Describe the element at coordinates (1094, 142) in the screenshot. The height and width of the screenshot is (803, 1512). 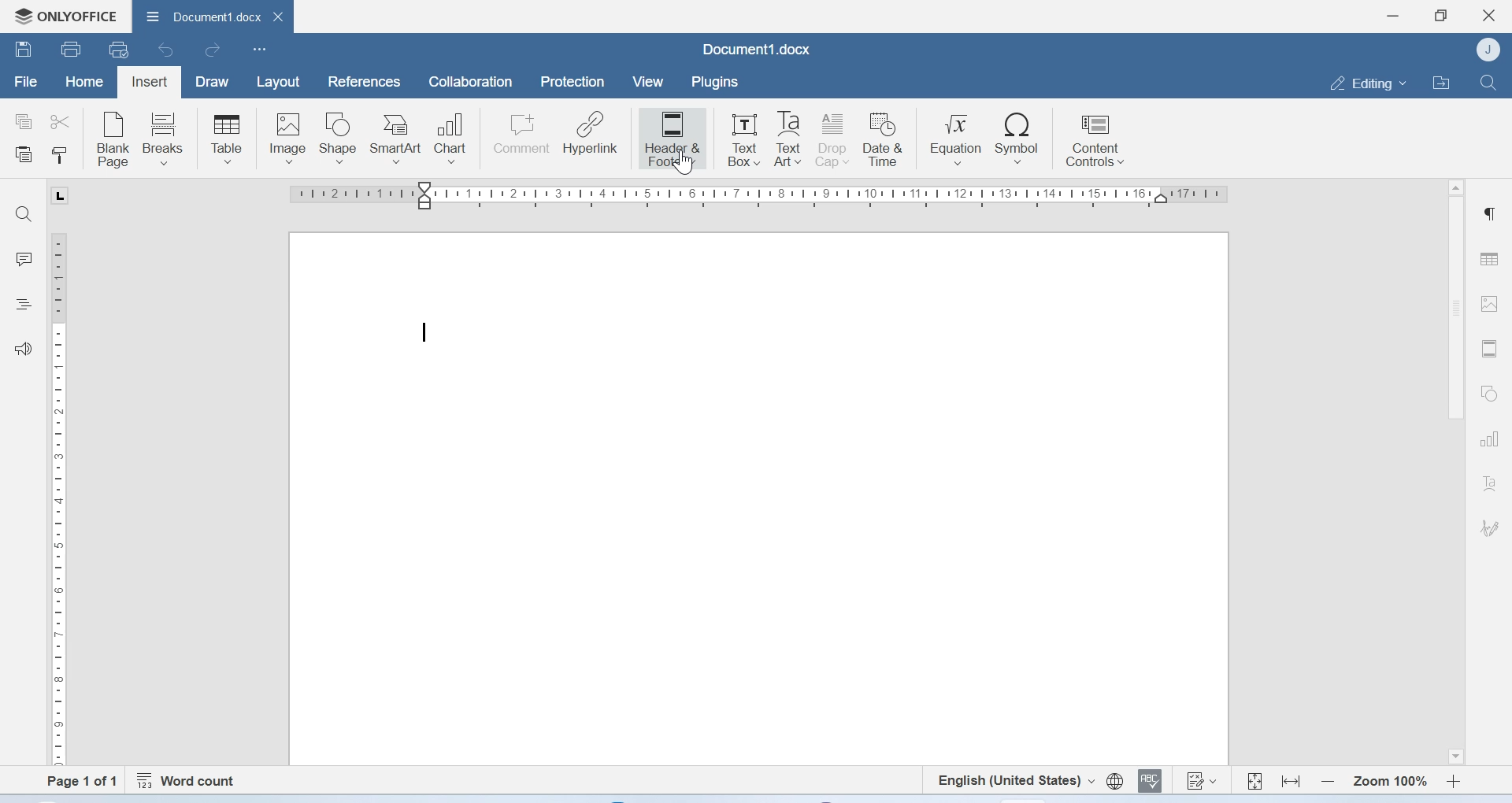
I see `Content controls` at that location.